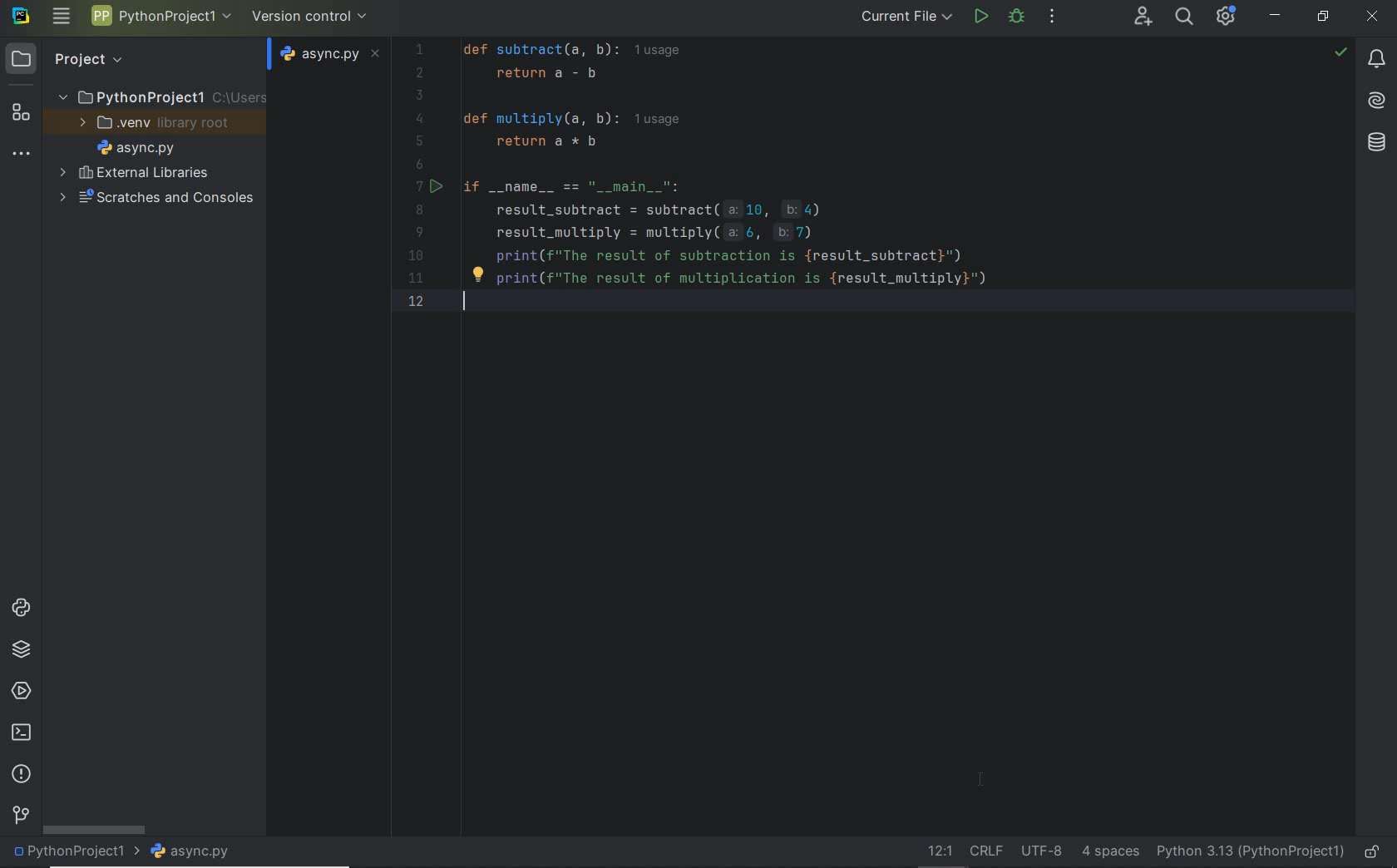  Describe the element at coordinates (159, 18) in the screenshot. I see `Project name` at that location.